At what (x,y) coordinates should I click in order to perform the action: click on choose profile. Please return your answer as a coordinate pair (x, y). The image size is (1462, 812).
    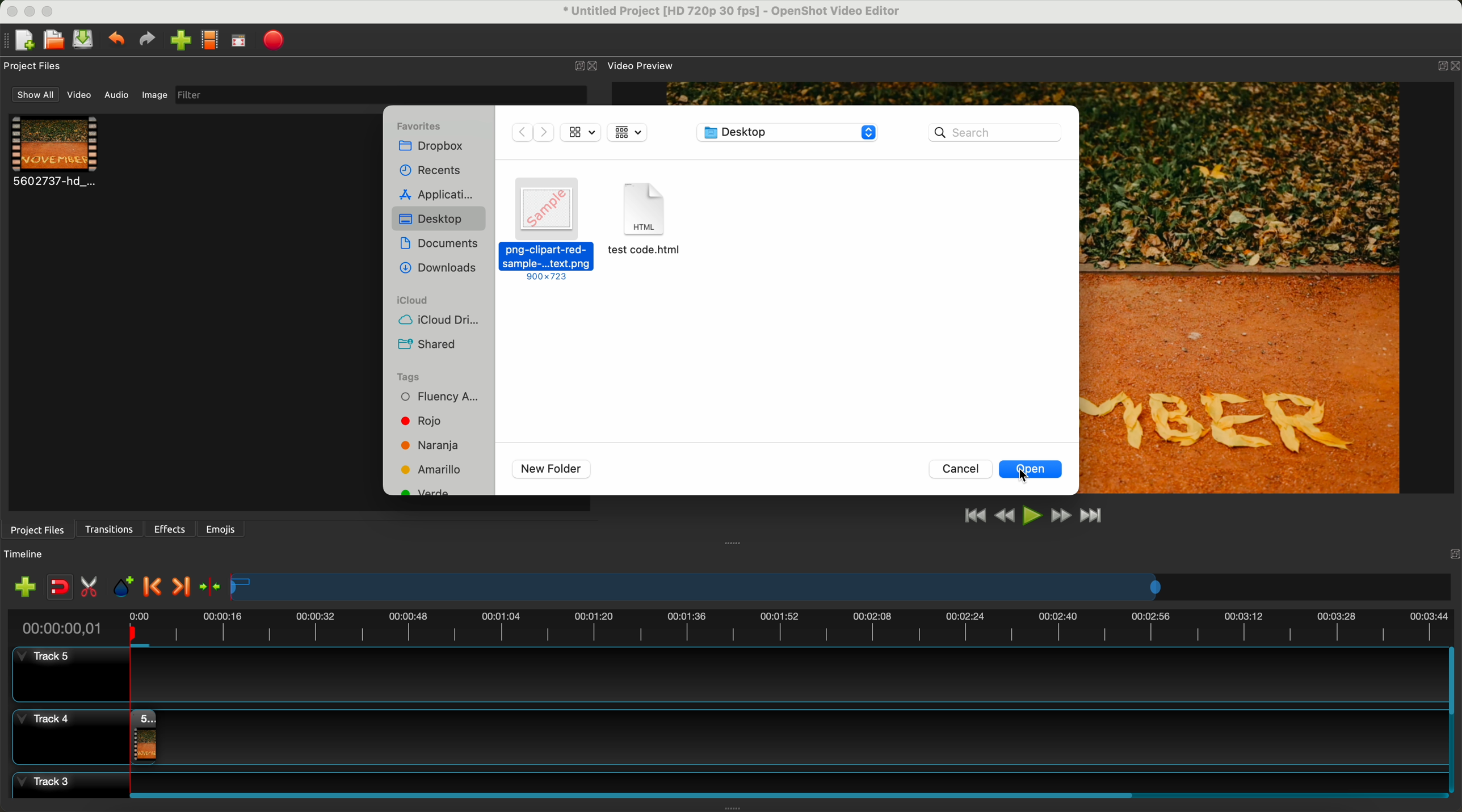
    Looking at the image, I should click on (213, 42).